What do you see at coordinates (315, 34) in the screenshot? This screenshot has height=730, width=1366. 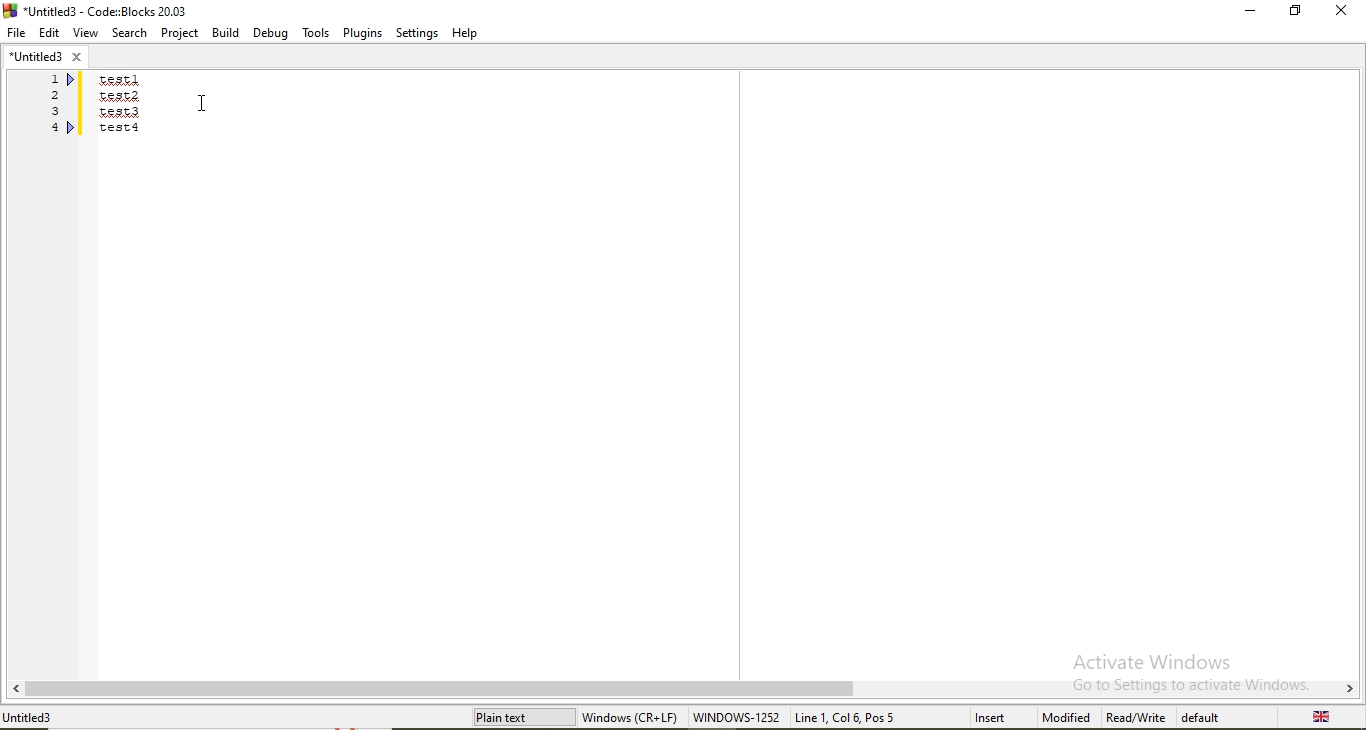 I see `Tools ` at bounding box center [315, 34].